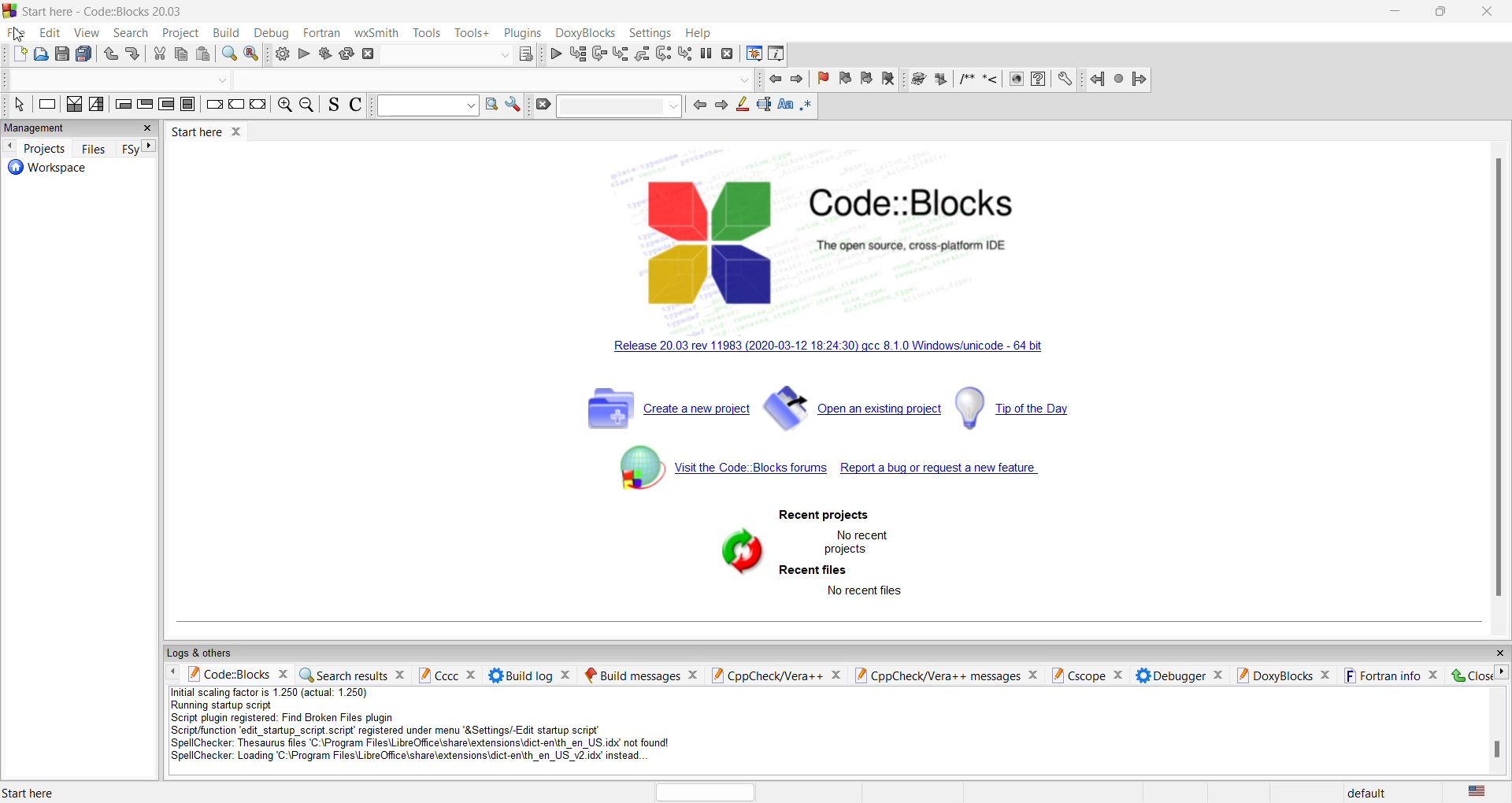 This screenshot has width=1512, height=803. Describe the element at coordinates (736, 551) in the screenshot. I see `refresh` at that location.